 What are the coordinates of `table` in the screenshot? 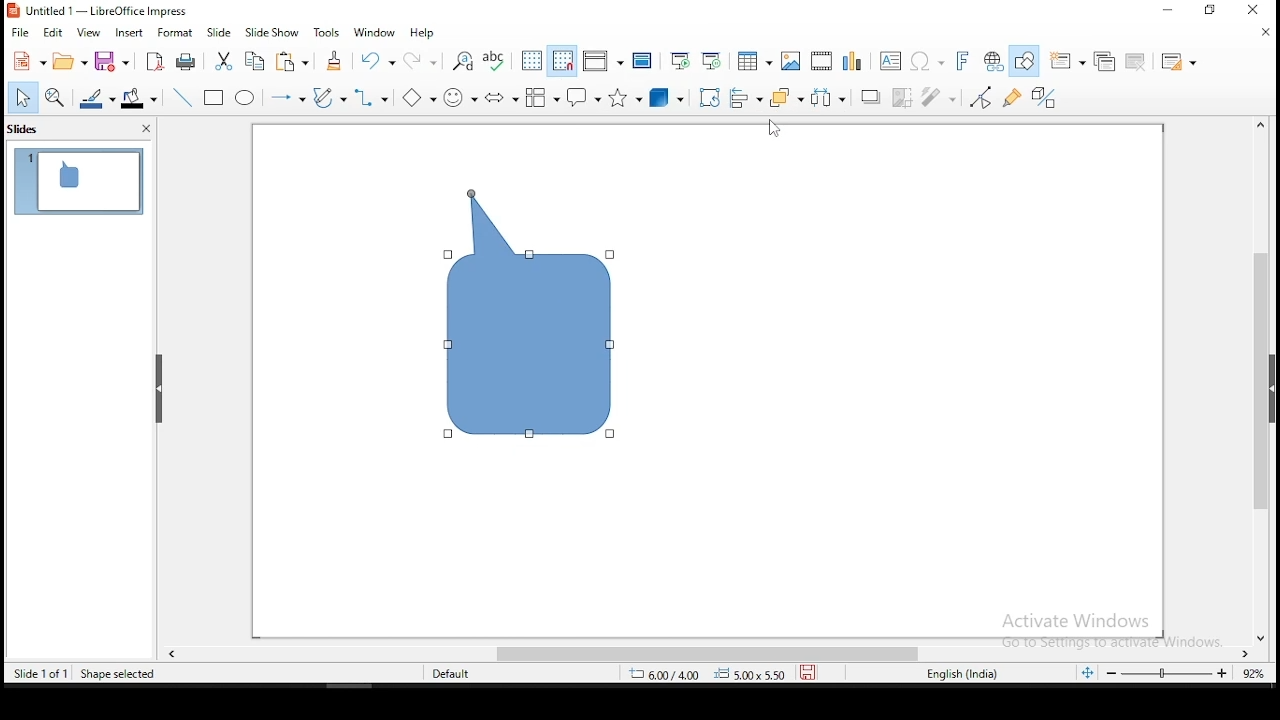 It's located at (752, 59).